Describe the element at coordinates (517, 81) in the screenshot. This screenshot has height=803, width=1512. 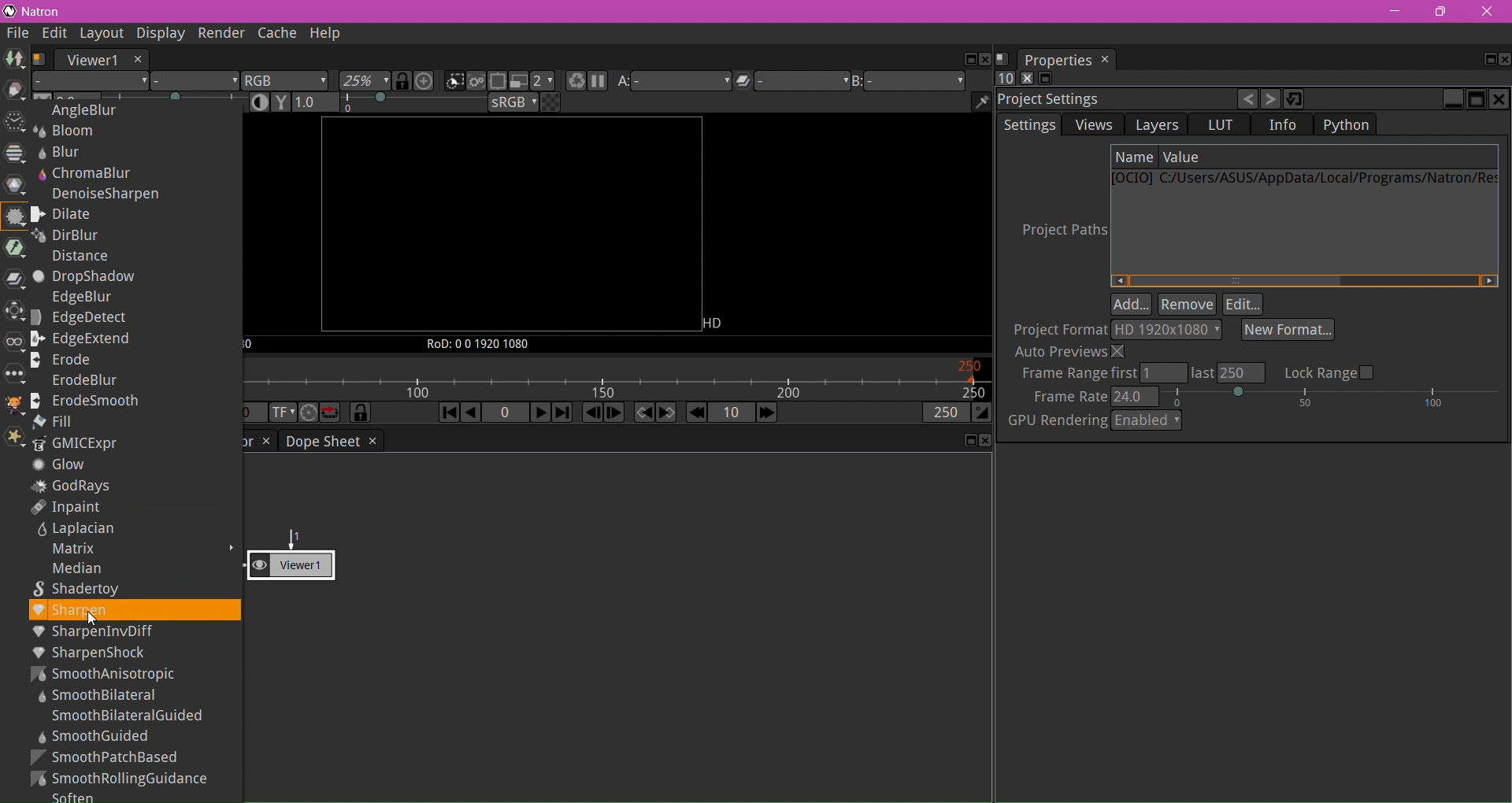
I see `Proxy mode` at that location.